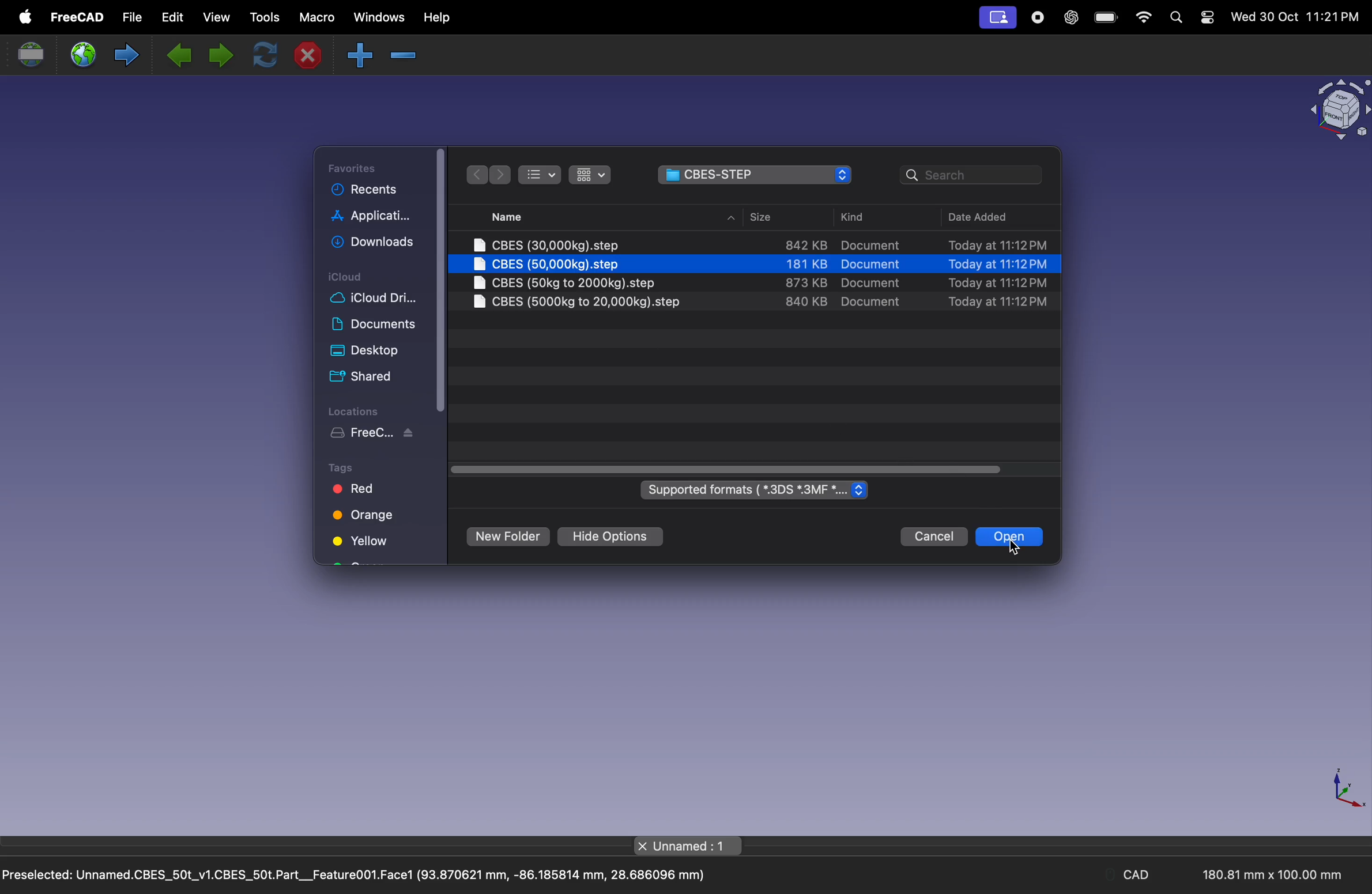 This screenshot has height=894, width=1372. I want to click on zoom out, so click(359, 55).